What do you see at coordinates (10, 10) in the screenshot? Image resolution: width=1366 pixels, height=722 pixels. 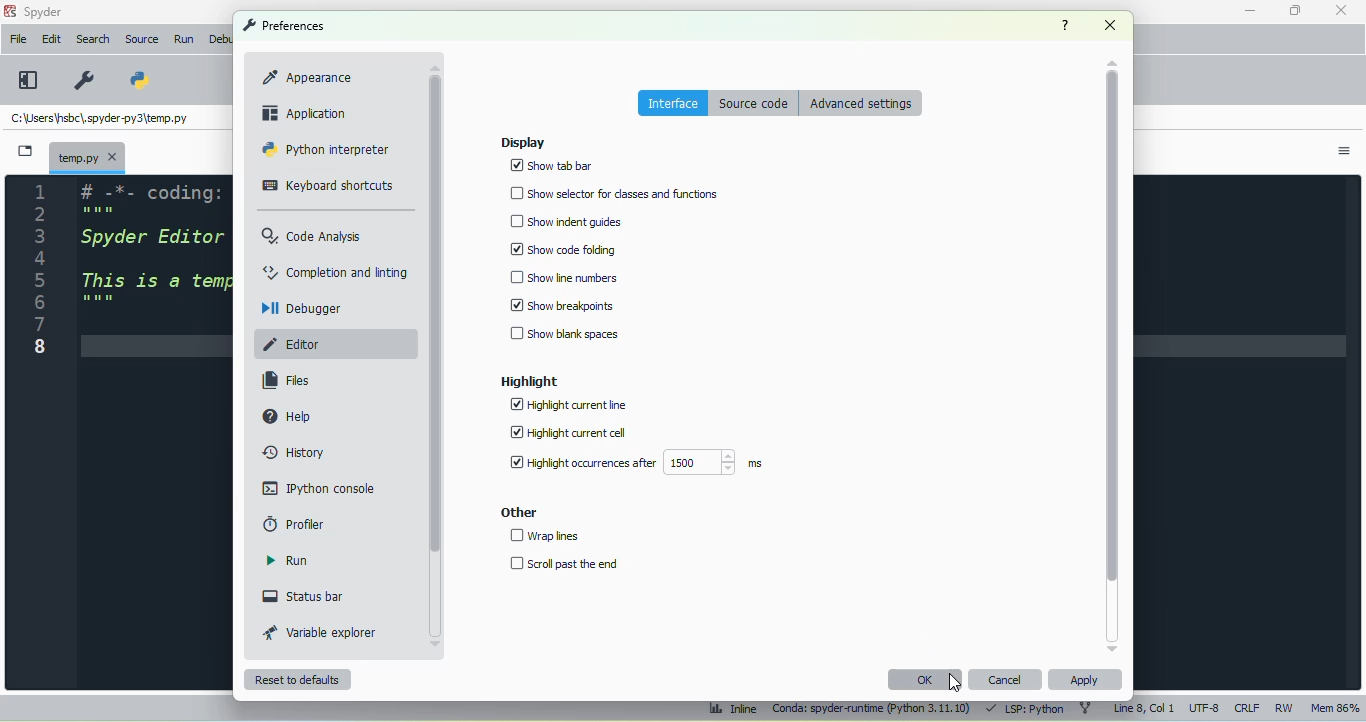 I see `logo` at bounding box center [10, 10].